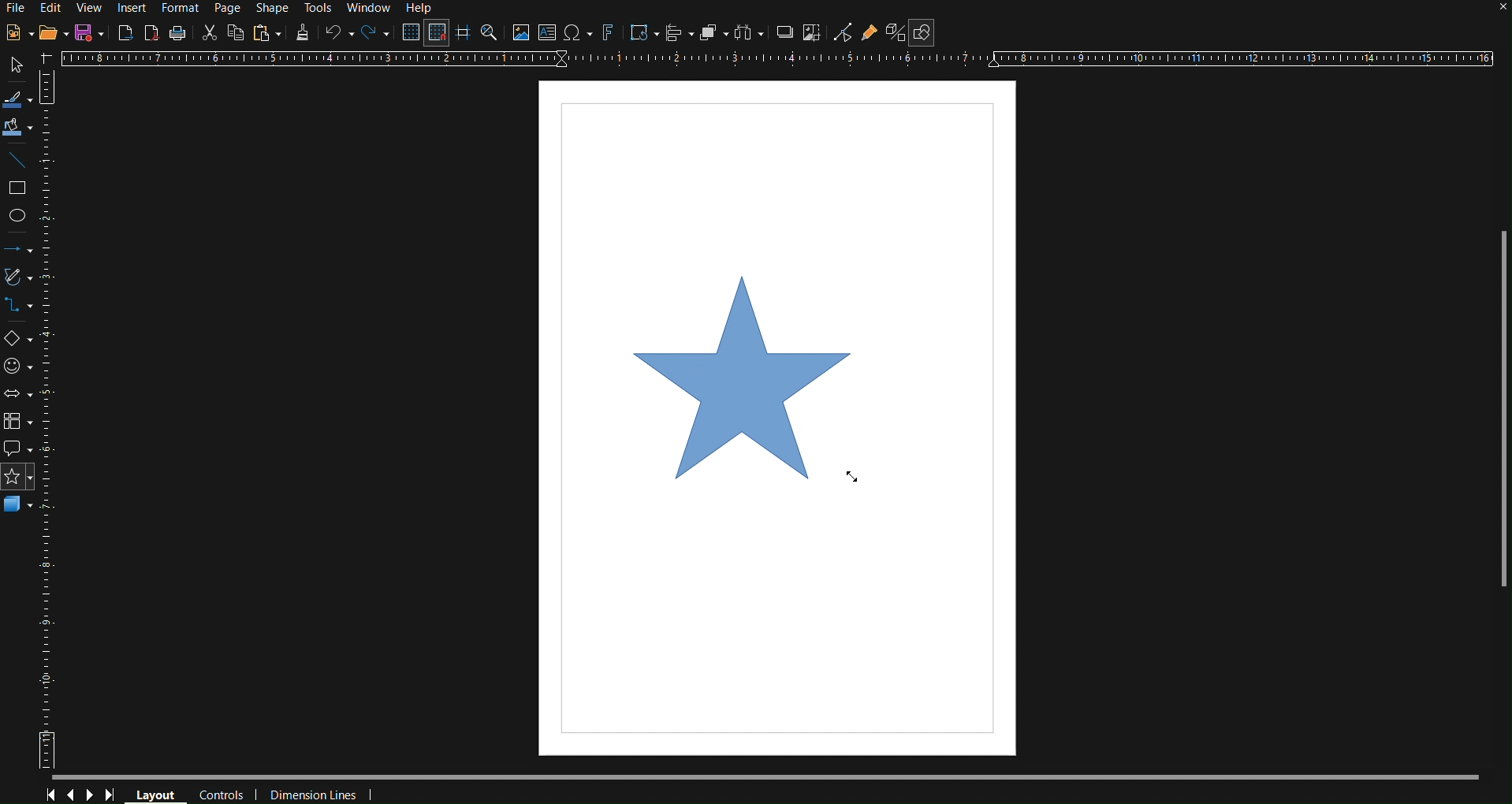  I want to click on Flowchart, so click(20, 423).